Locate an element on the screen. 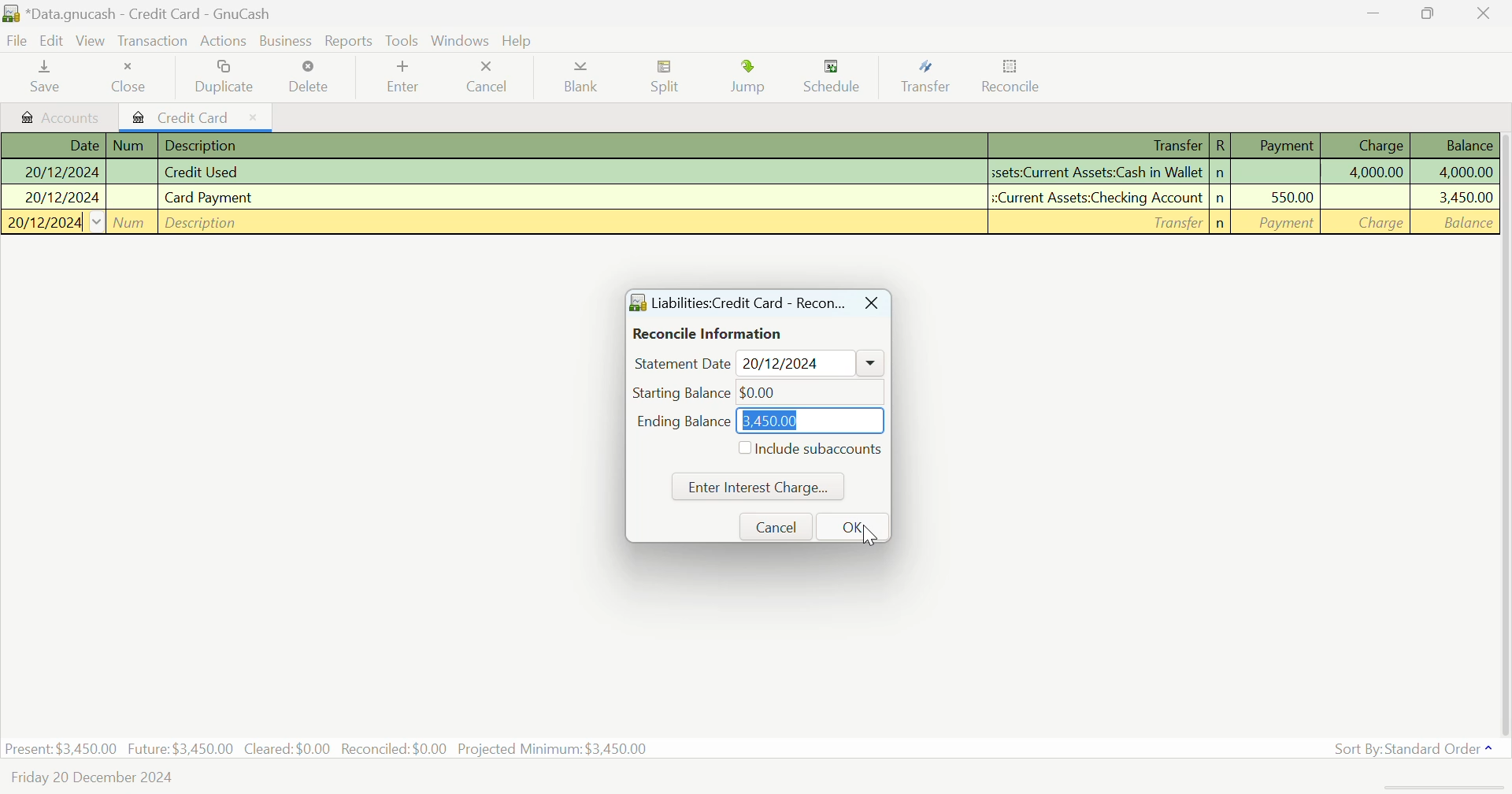 This screenshot has width=1512, height=794. Transfer is located at coordinates (922, 80).